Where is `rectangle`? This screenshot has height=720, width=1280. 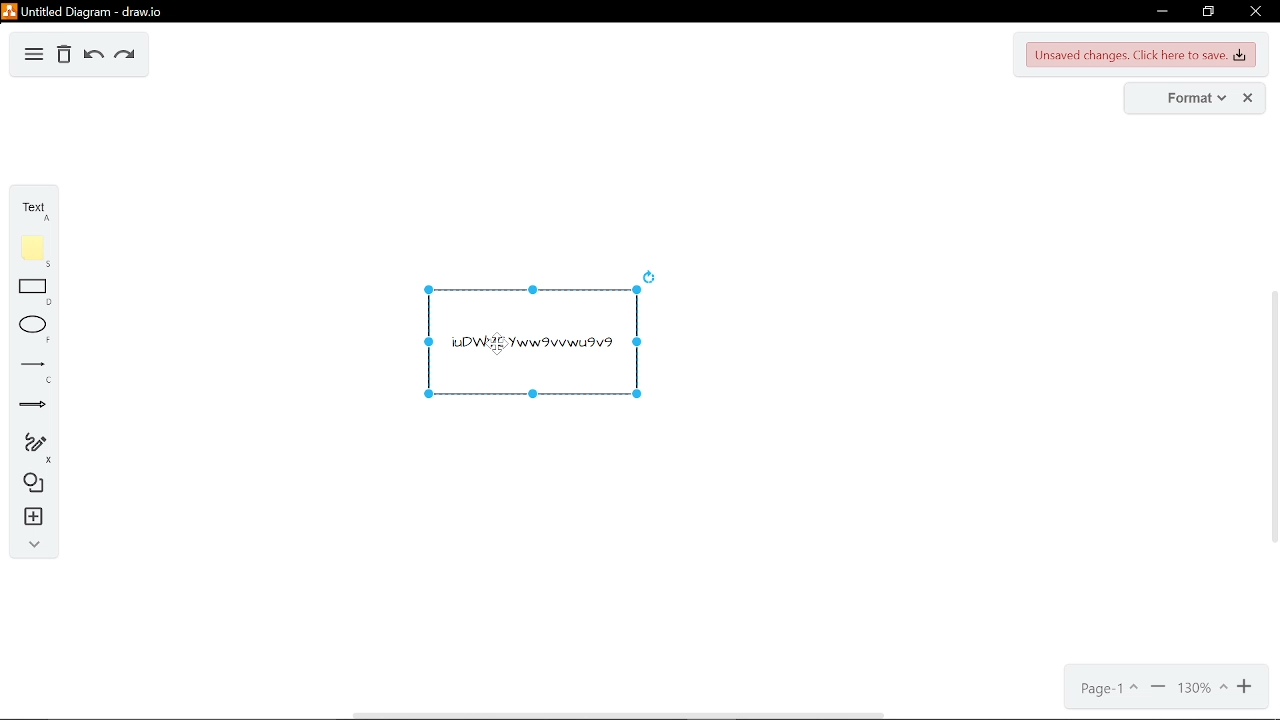 rectangle is located at coordinates (29, 291).